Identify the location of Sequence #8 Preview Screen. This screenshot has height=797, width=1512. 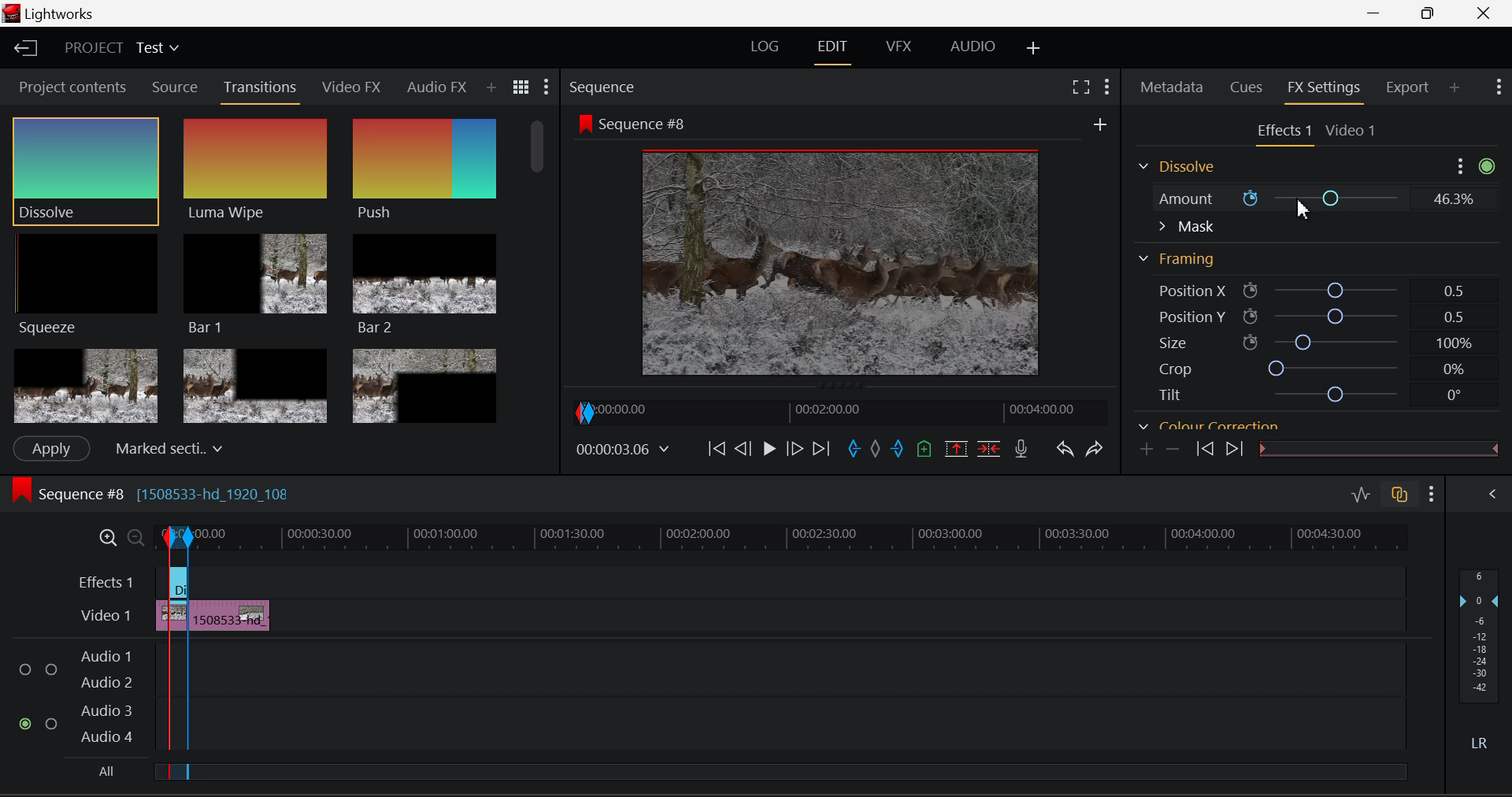
(837, 247).